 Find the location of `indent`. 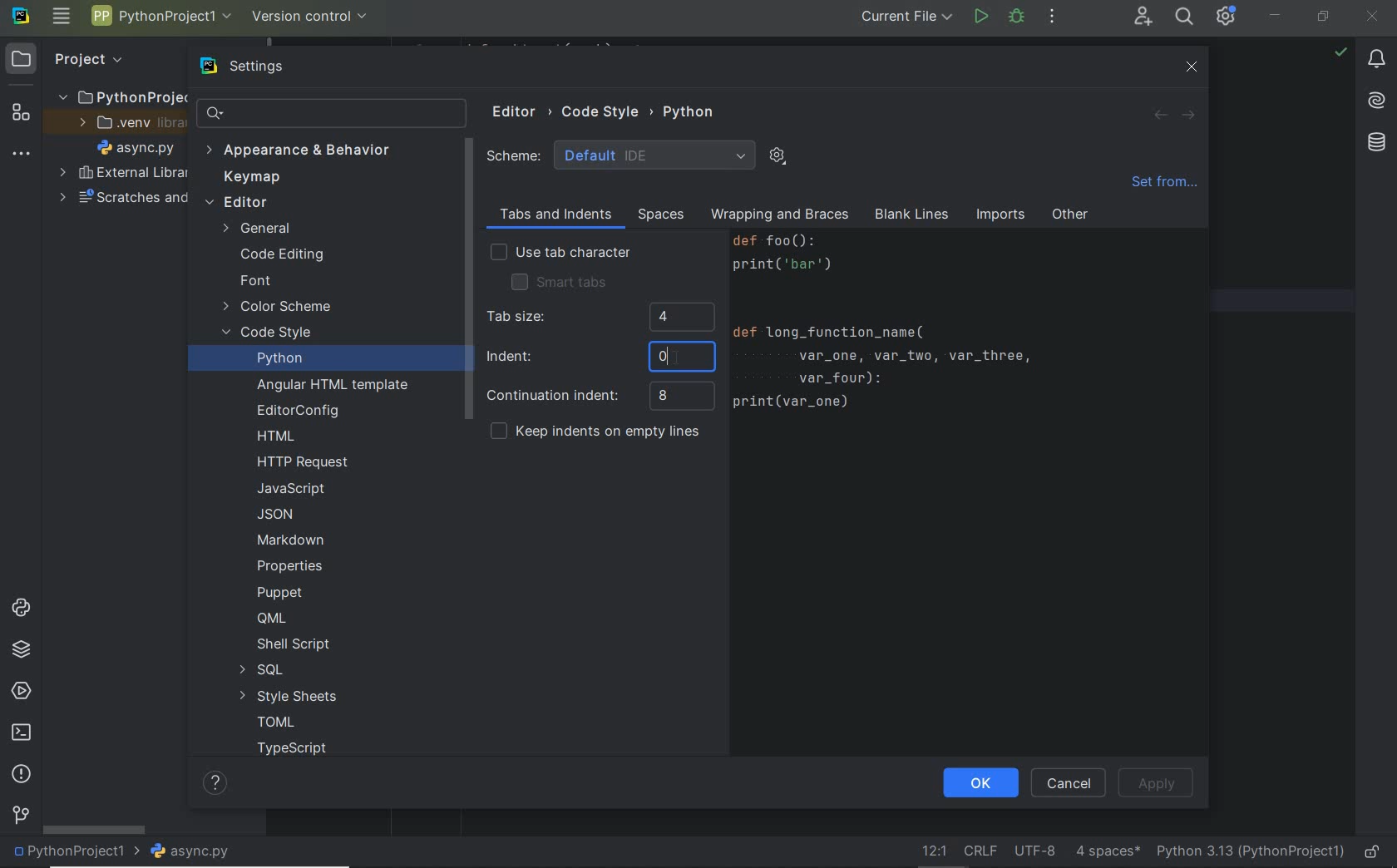

indent is located at coordinates (1108, 850).